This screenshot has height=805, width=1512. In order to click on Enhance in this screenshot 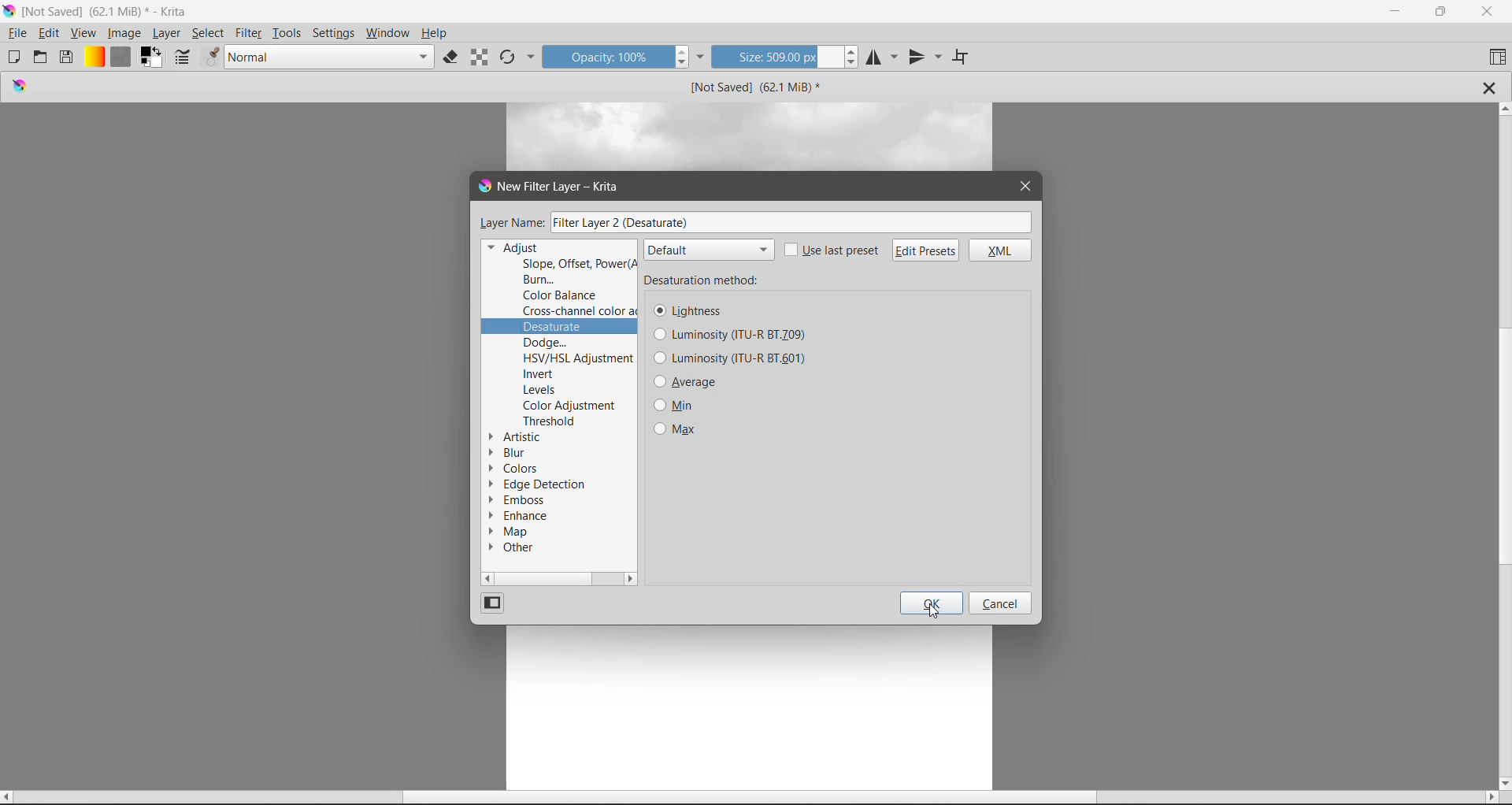, I will do `click(521, 516)`.